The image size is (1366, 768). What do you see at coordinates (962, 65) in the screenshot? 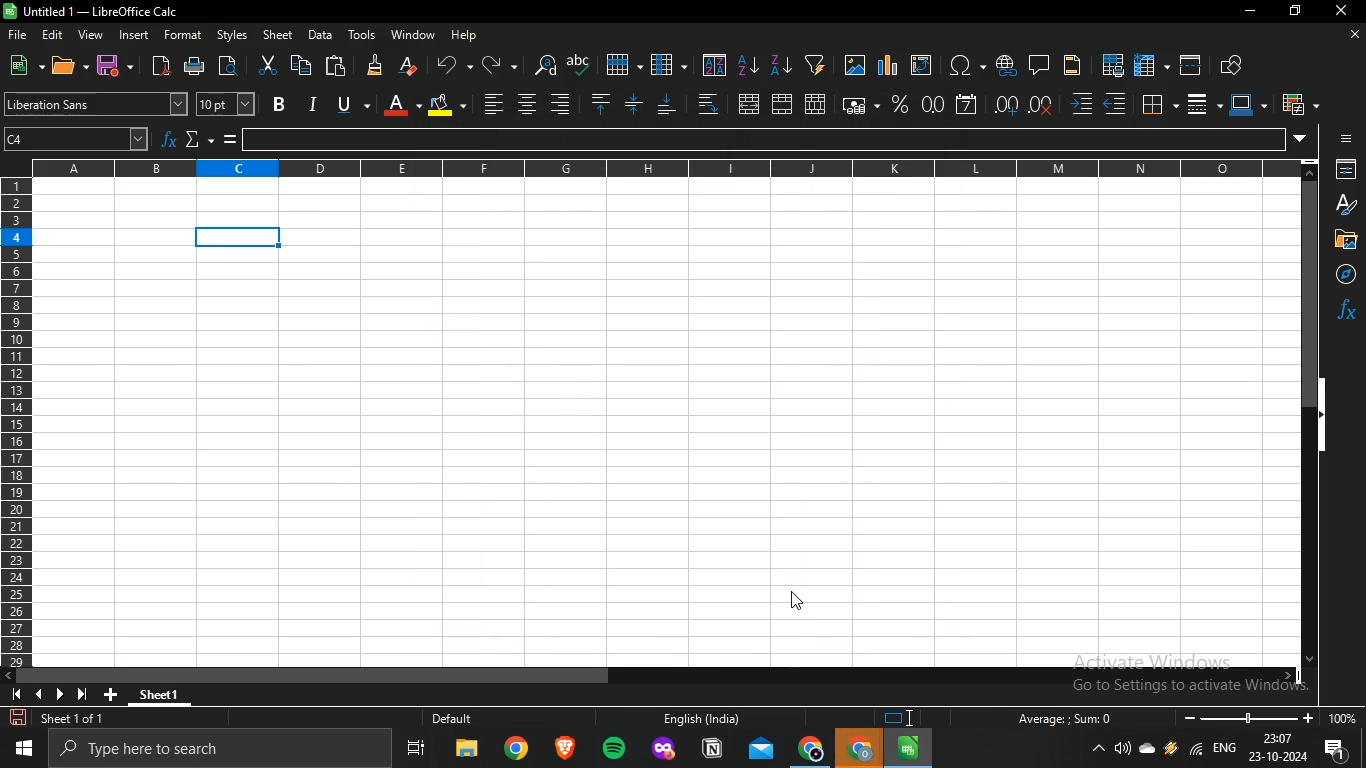
I see `insert special characters` at bounding box center [962, 65].